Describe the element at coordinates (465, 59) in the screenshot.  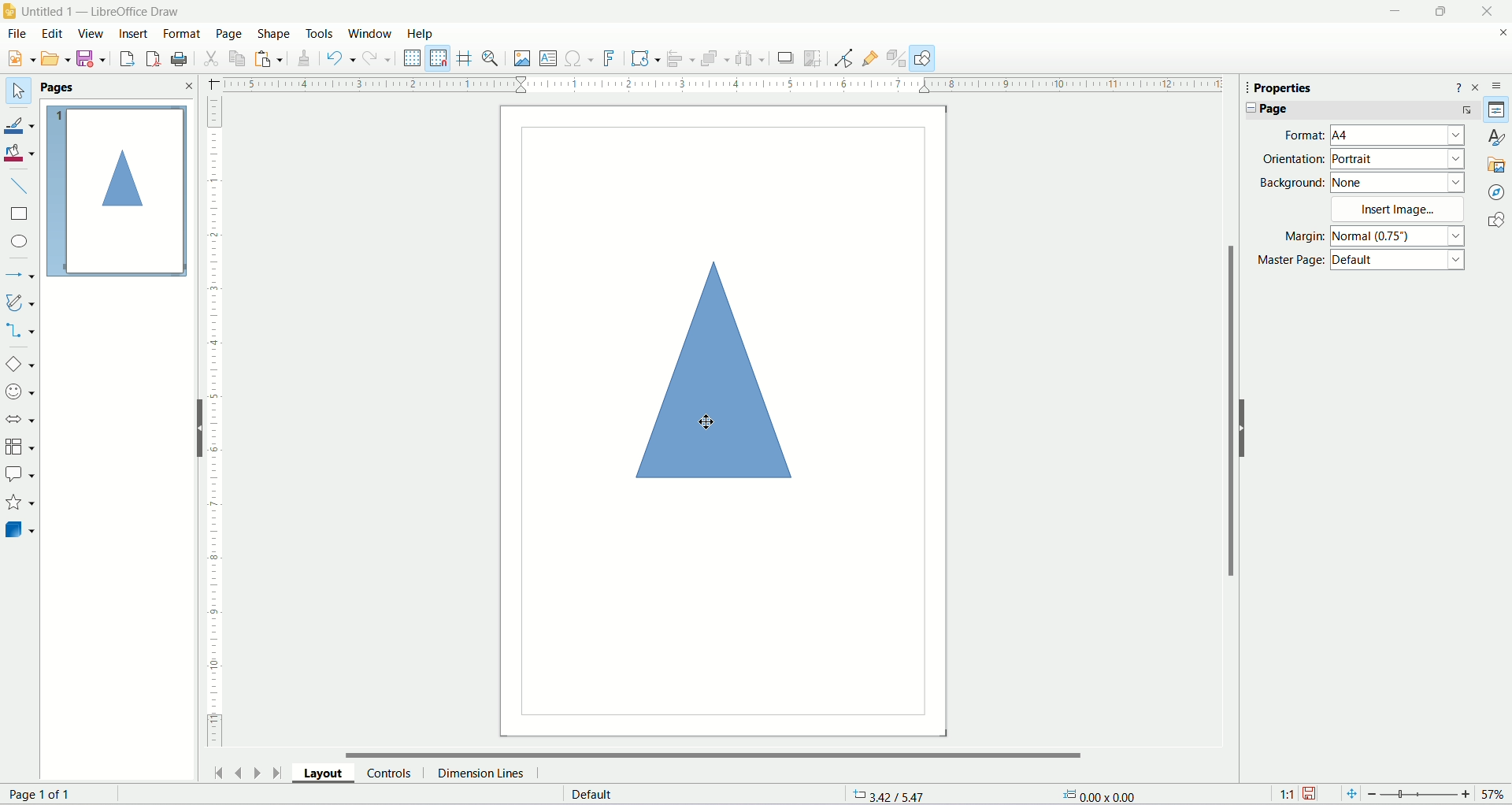
I see `Helpines while moving` at that location.